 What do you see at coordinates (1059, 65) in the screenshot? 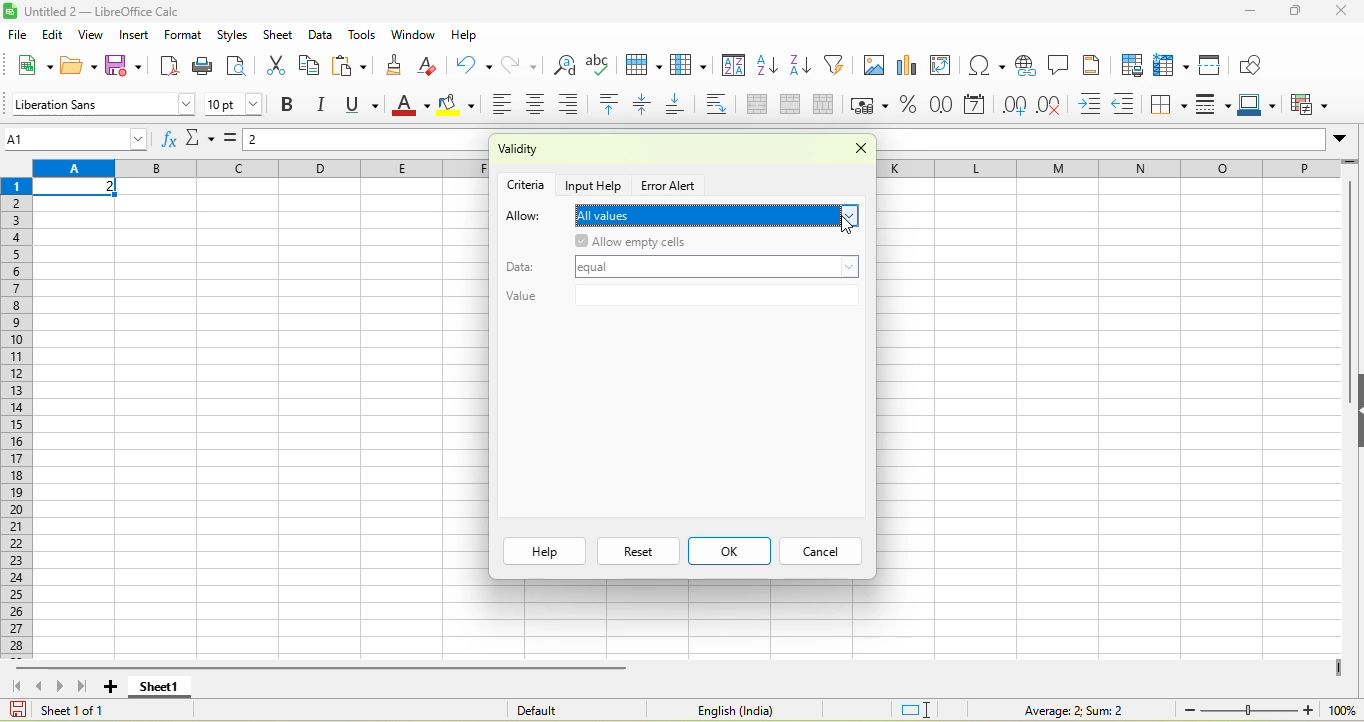
I see `comment` at bounding box center [1059, 65].